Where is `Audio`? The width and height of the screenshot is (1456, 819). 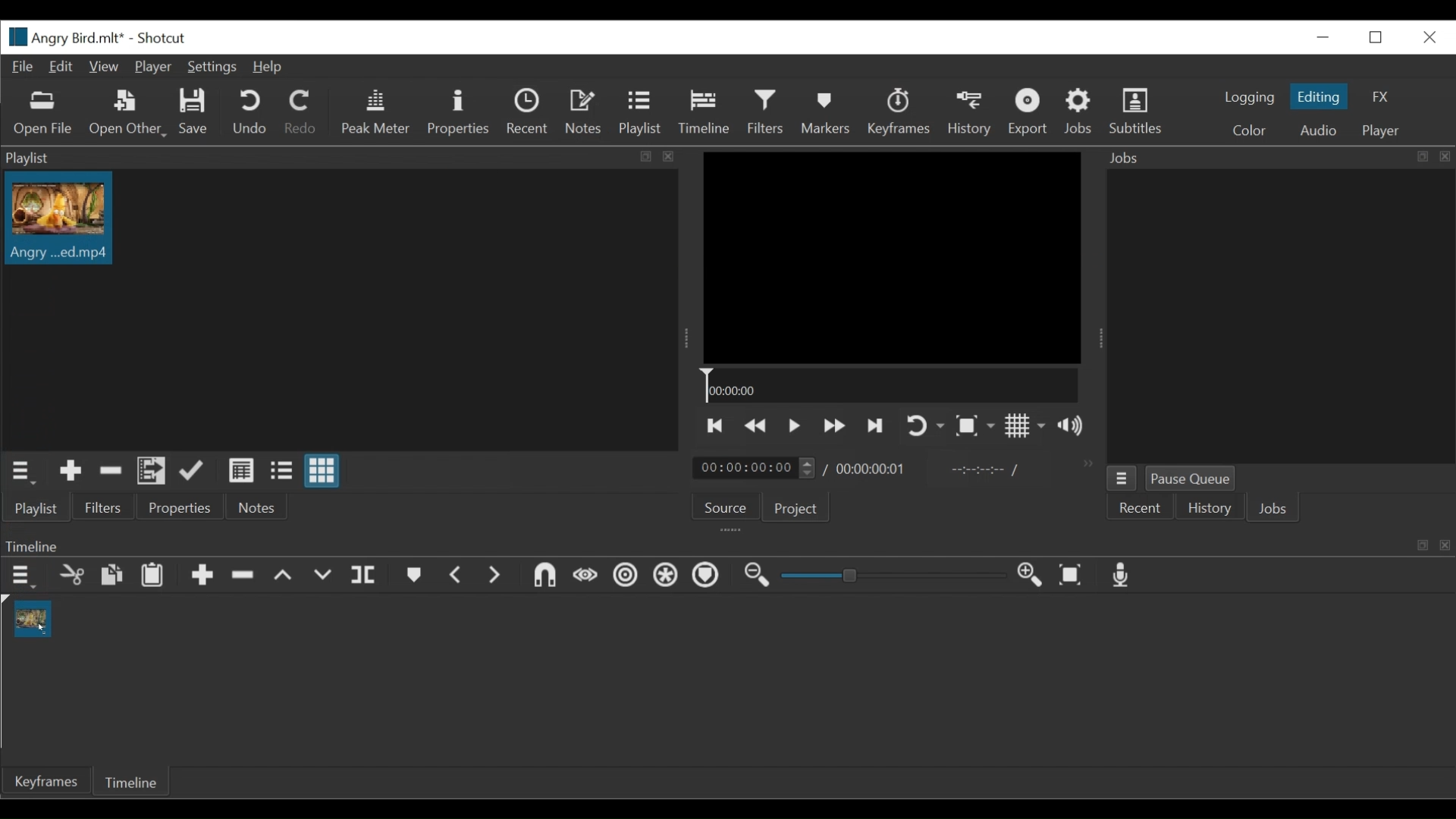 Audio is located at coordinates (1323, 130).